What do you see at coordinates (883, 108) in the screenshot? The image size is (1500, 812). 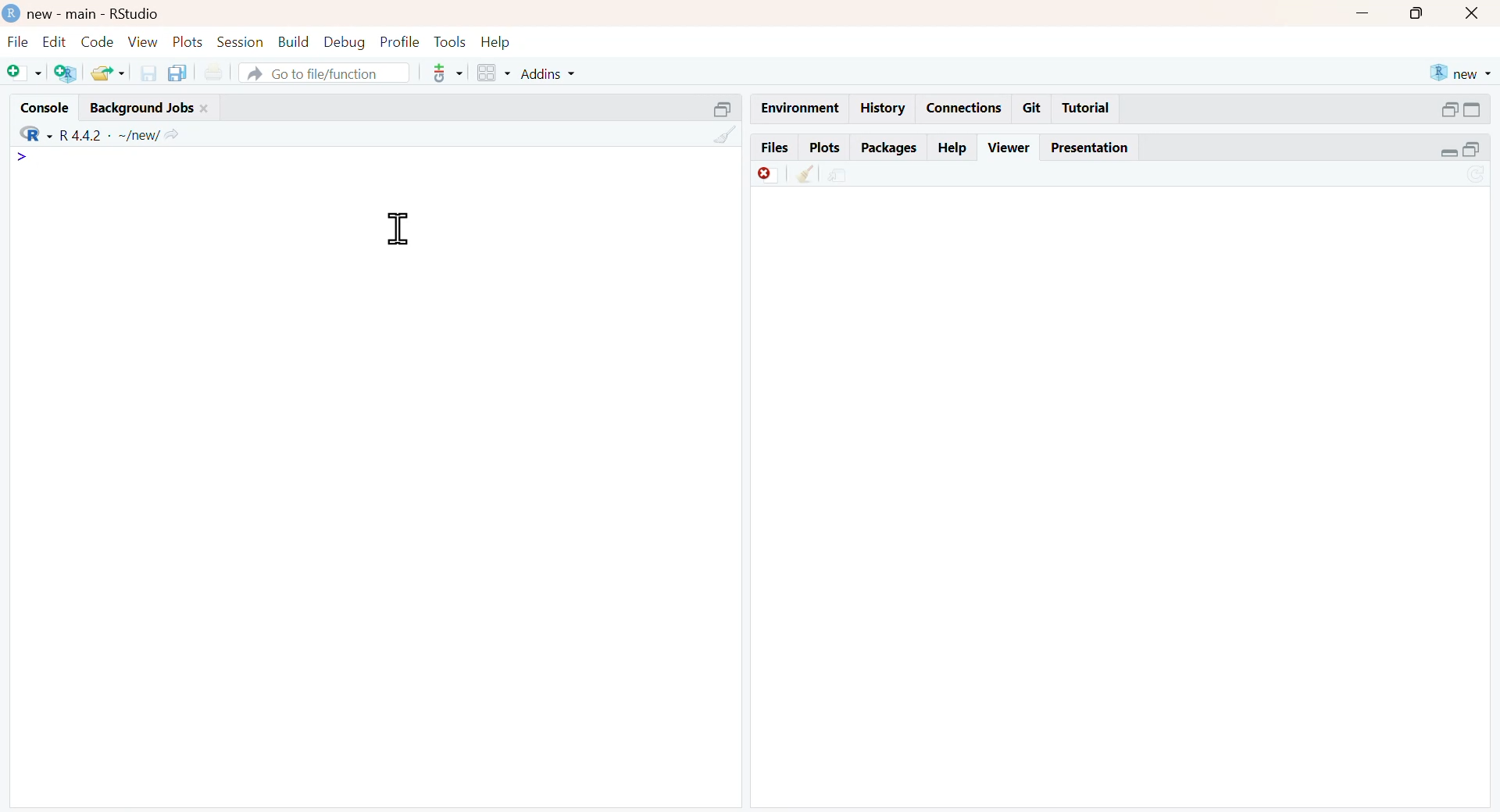 I see `History` at bounding box center [883, 108].